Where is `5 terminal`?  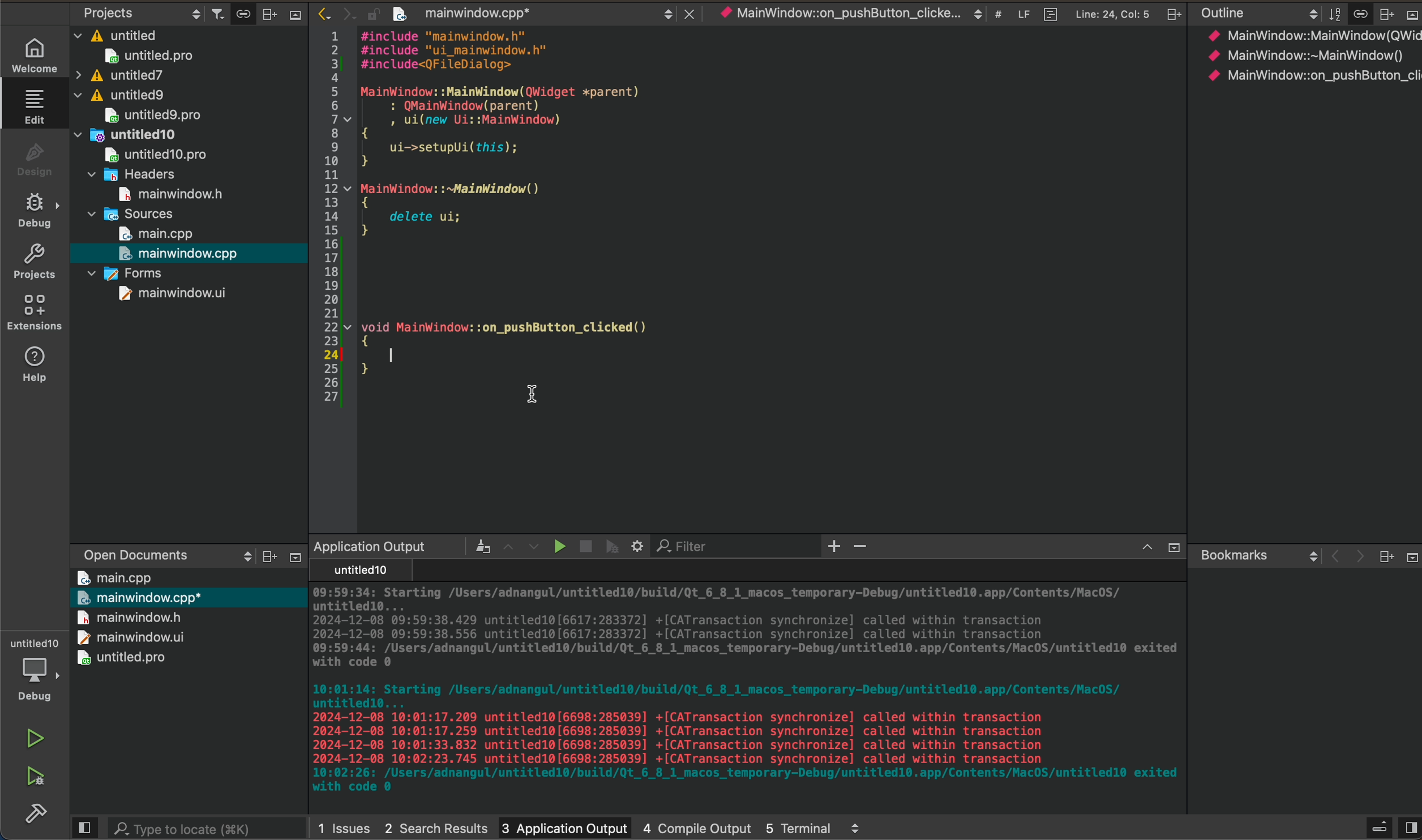 5 terminal is located at coordinates (798, 825).